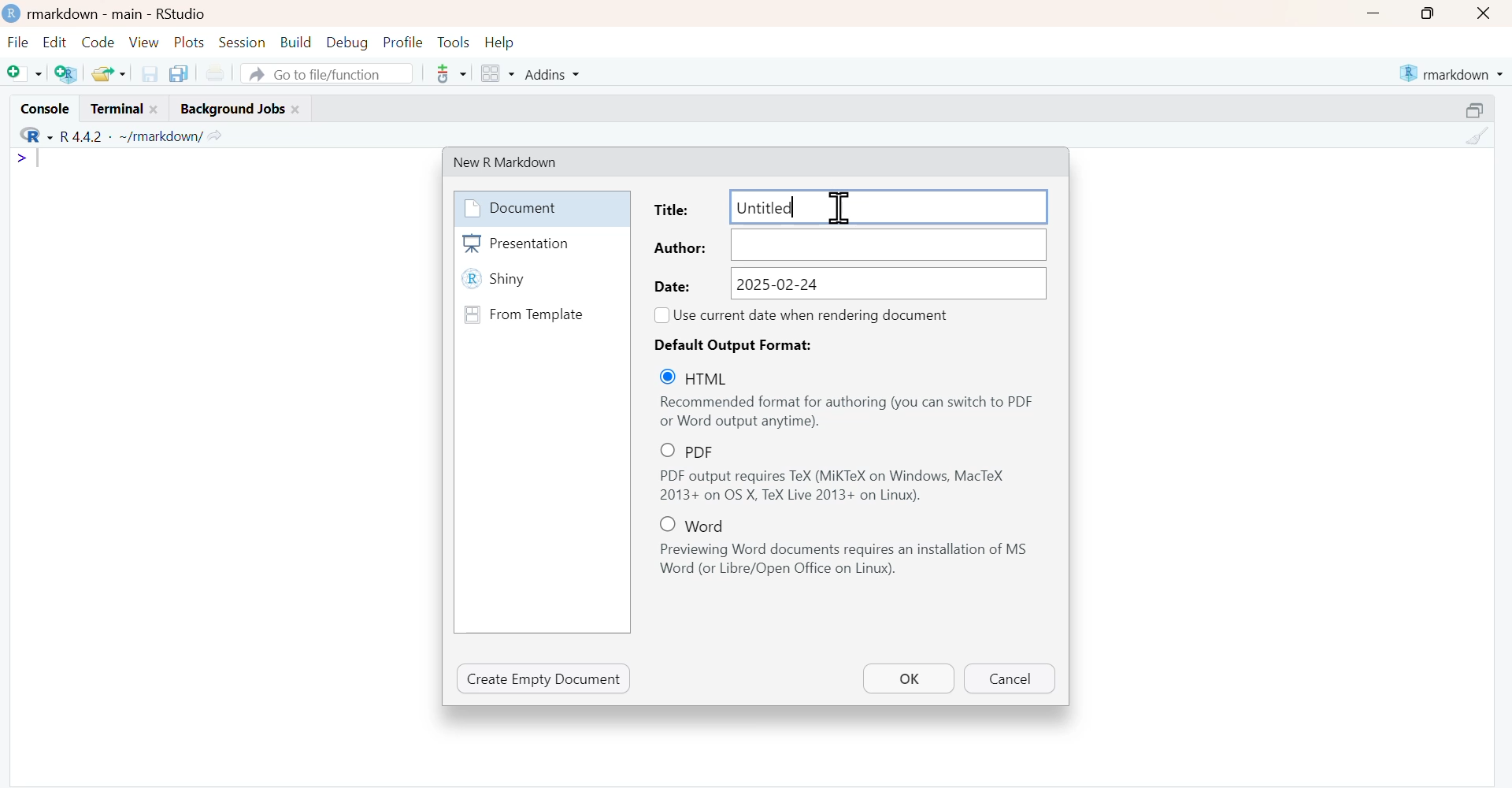 This screenshot has height=788, width=1512. Describe the element at coordinates (550, 73) in the screenshot. I see `Addins` at that location.